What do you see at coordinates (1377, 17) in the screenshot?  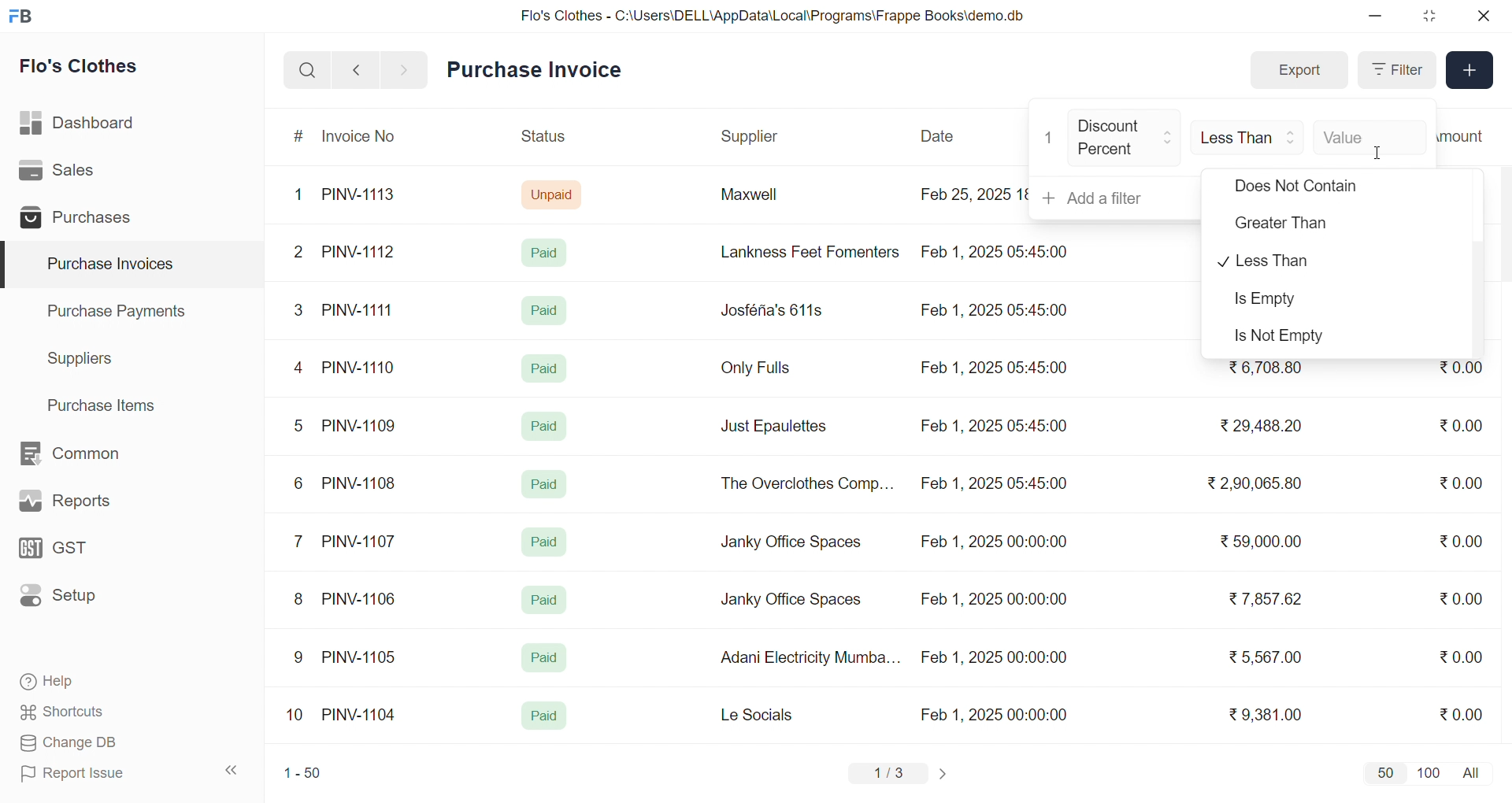 I see `minimize` at bounding box center [1377, 17].